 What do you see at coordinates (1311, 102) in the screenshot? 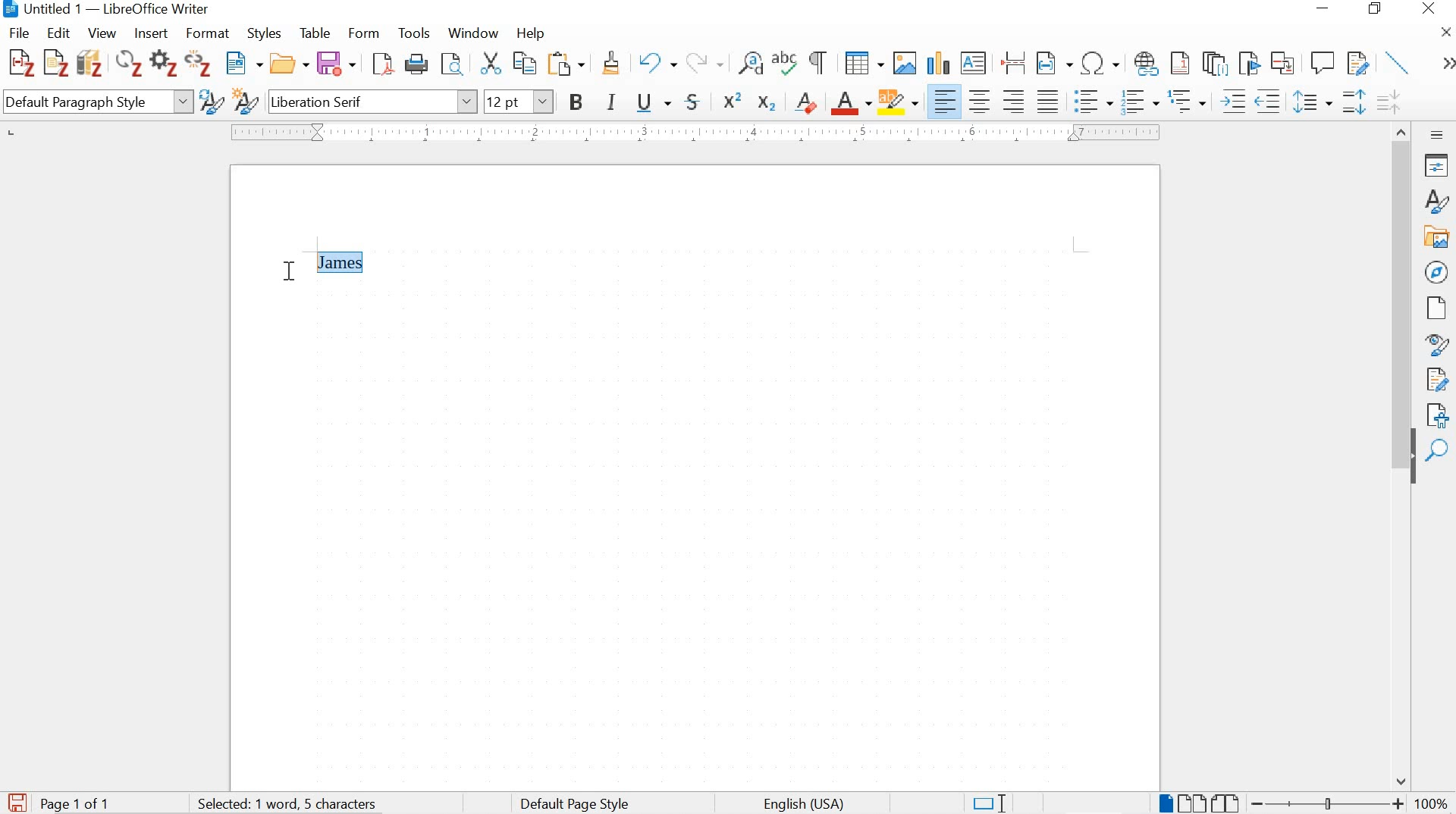
I see `set line spacing` at bounding box center [1311, 102].